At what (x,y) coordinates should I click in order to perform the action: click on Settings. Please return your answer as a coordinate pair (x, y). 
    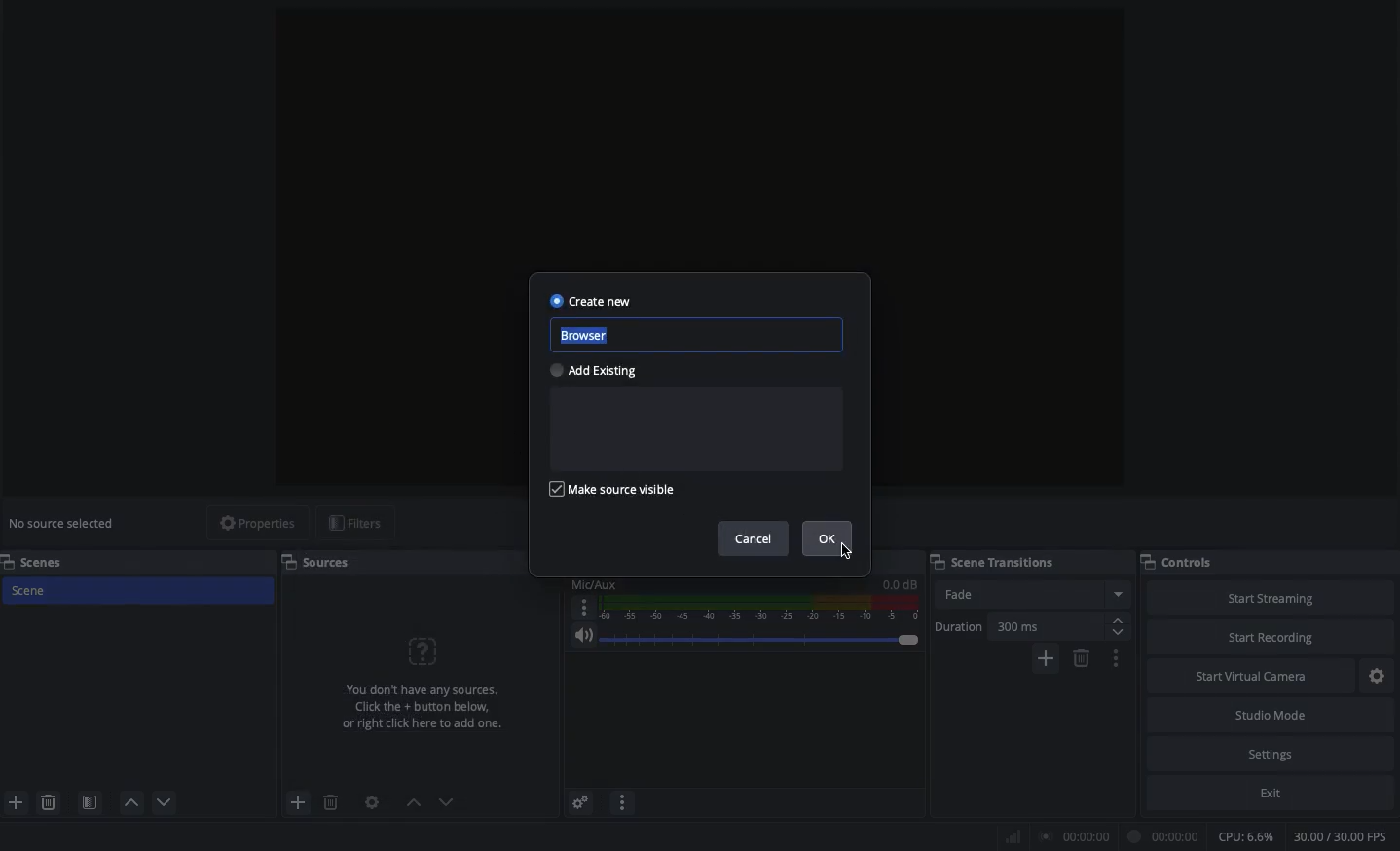
    Looking at the image, I should click on (582, 802).